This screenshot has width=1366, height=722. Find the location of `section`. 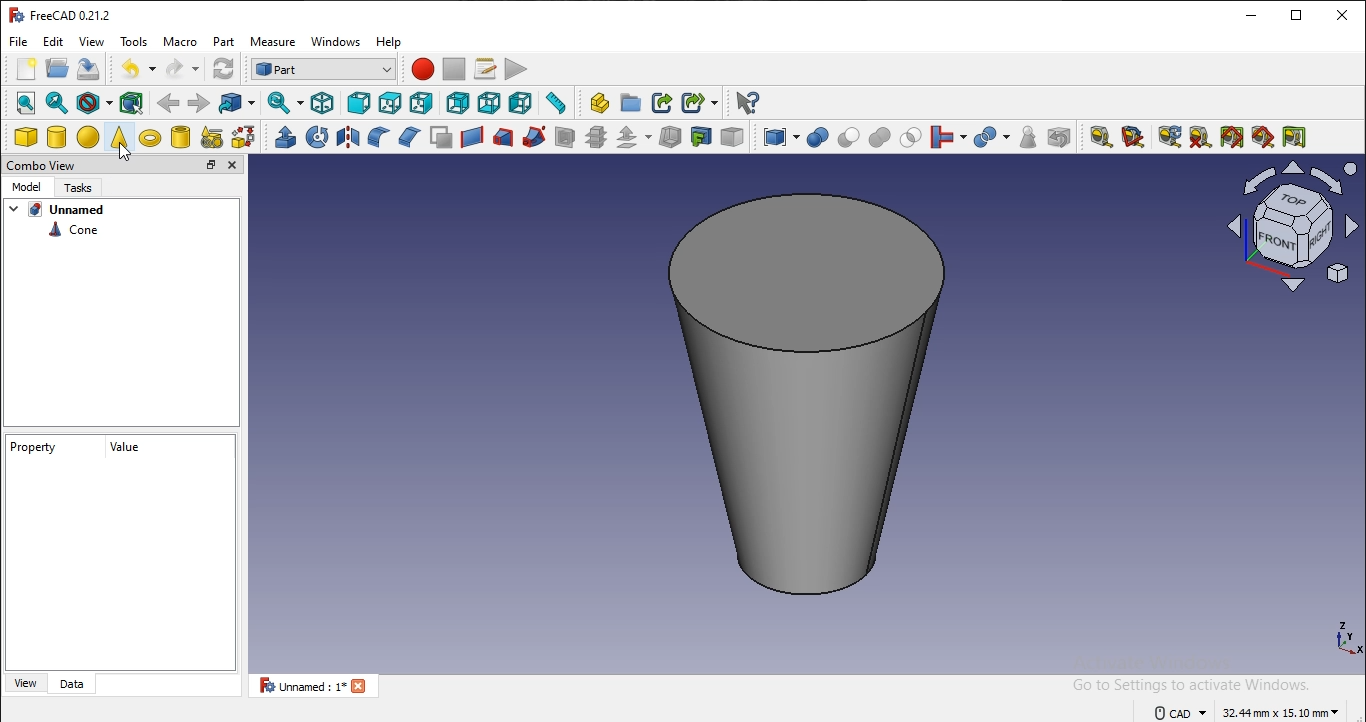

section is located at coordinates (565, 137).